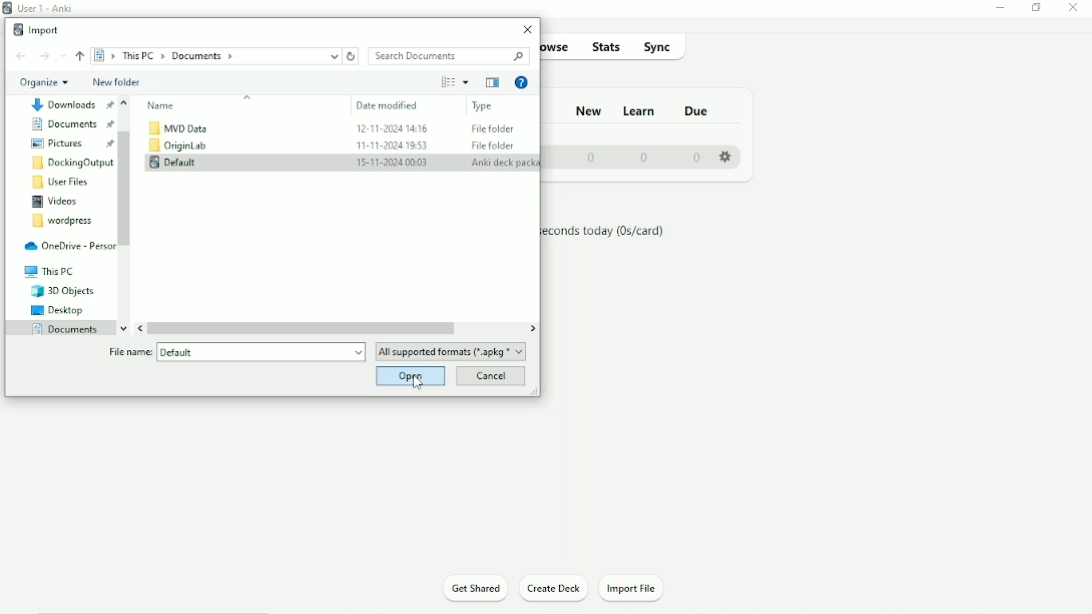  What do you see at coordinates (698, 157) in the screenshot?
I see `0` at bounding box center [698, 157].